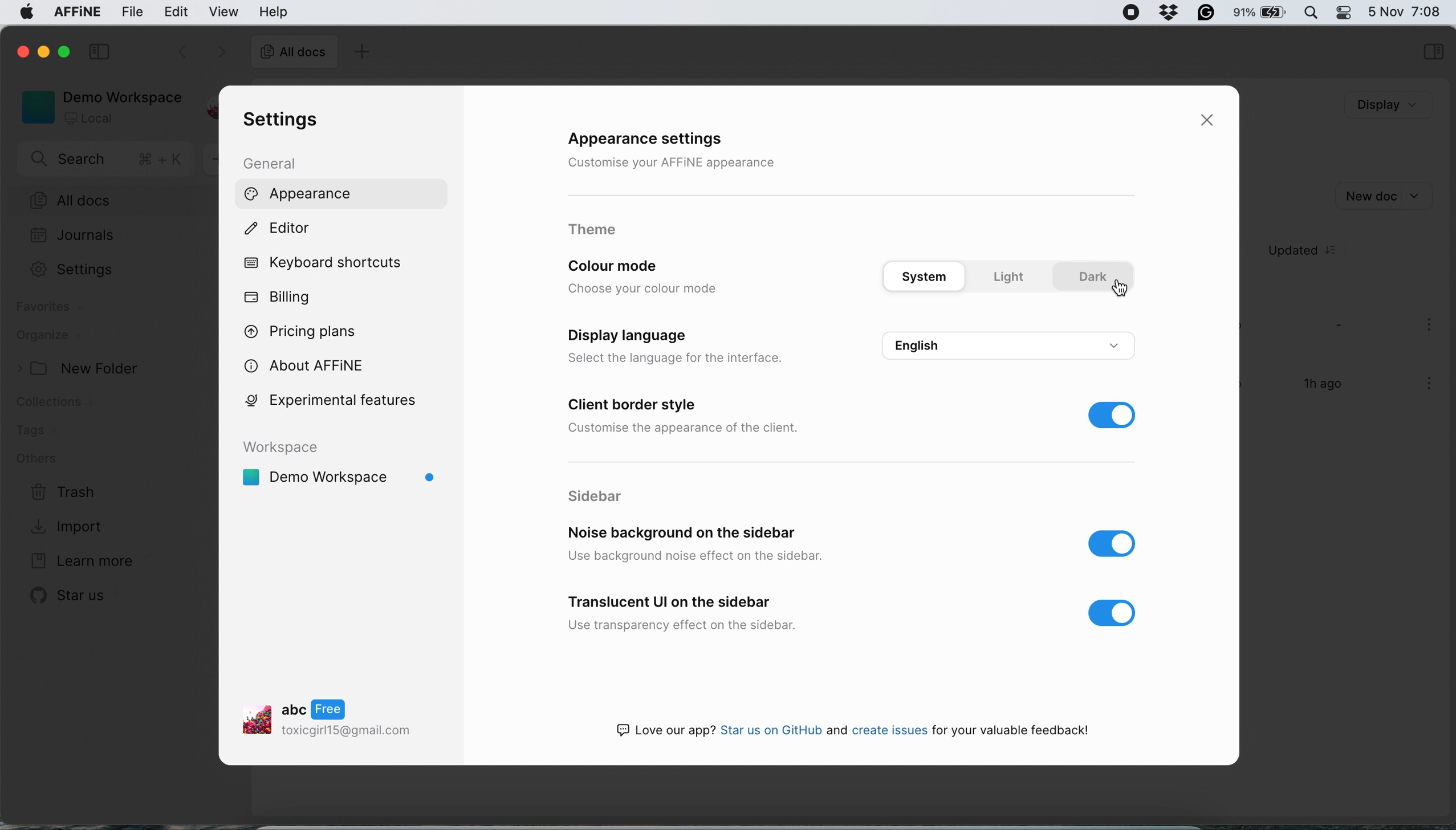 Image resolution: width=1456 pixels, height=830 pixels. What do you see at coordinates (61, 336) in the screenshot?
I see `organize` at bounding box center [61, 336].